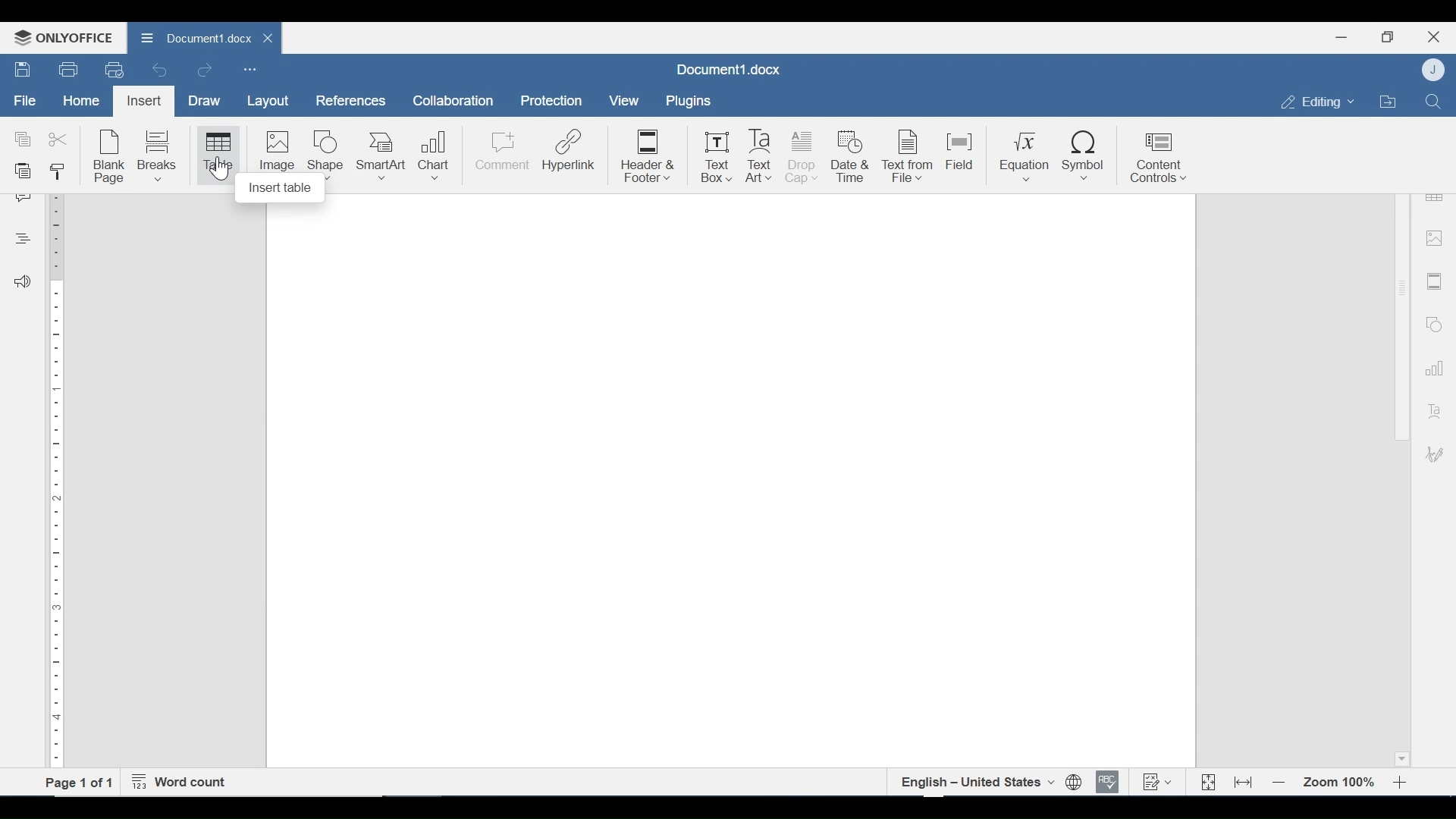 The image size is (1456, 819). I want to click on Save, so click(24, 70).